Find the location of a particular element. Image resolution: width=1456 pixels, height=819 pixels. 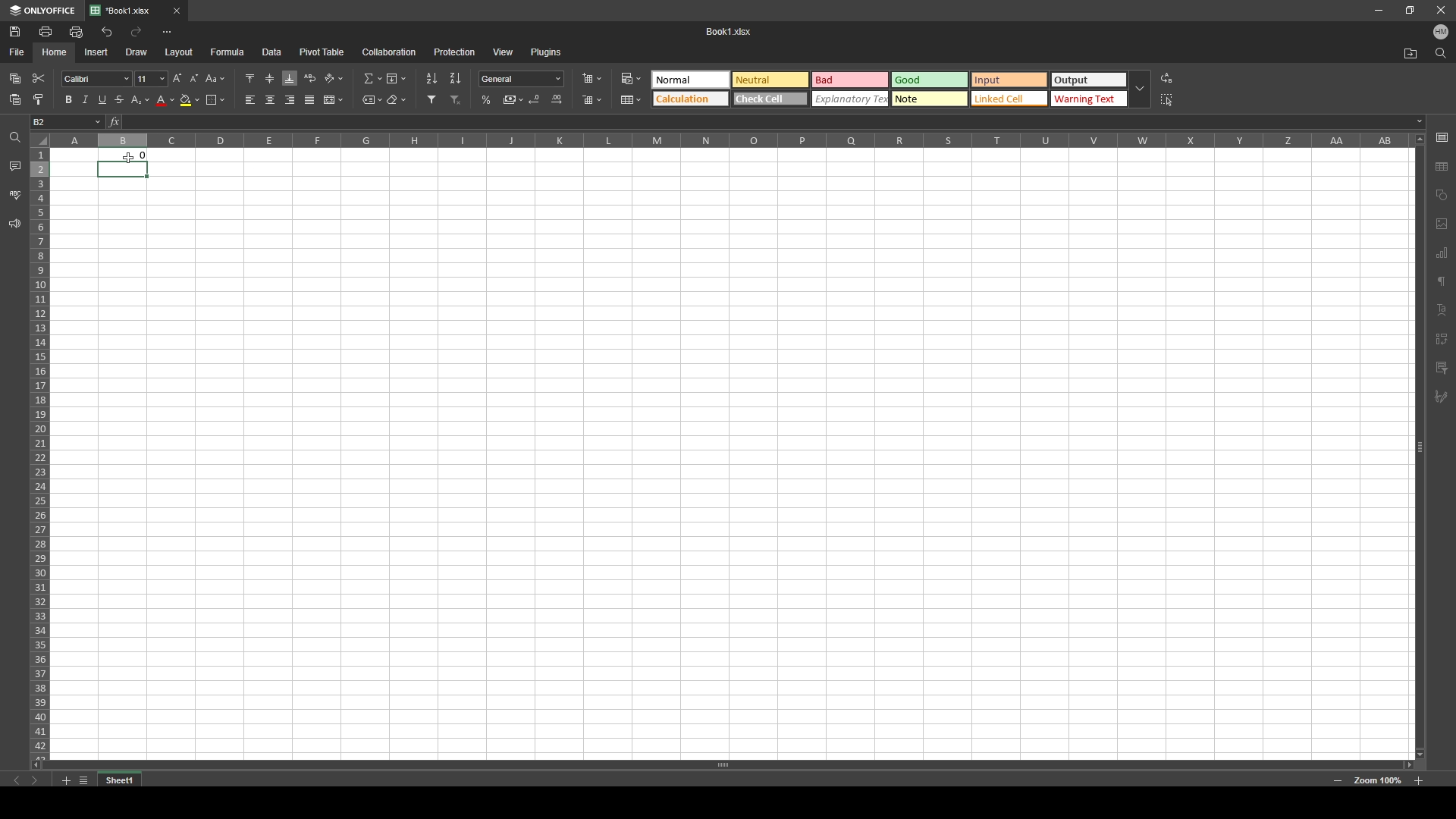

summation is located at coordinates (373, 78).